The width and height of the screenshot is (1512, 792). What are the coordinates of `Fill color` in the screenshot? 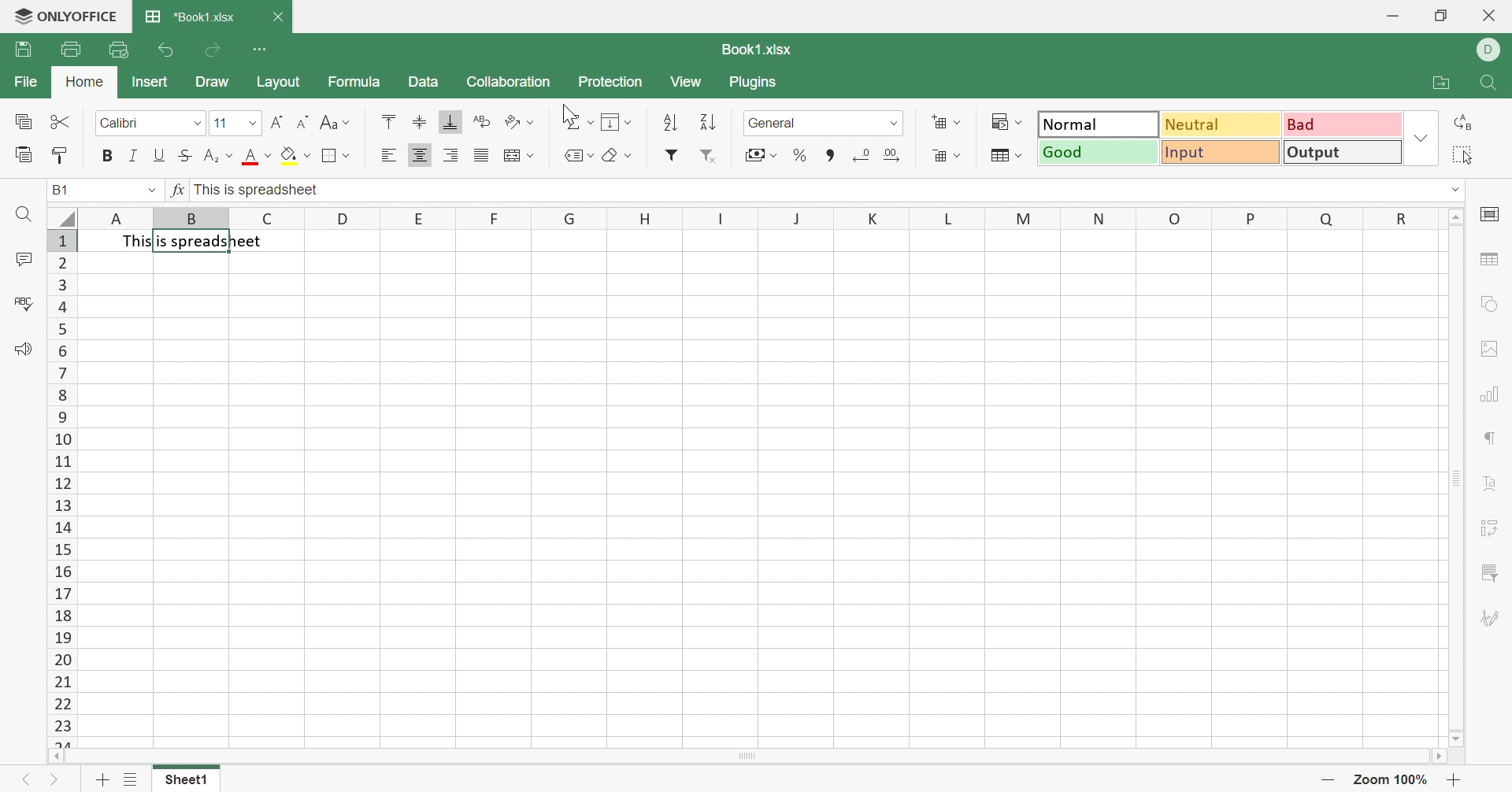 It's located at (291, 157).